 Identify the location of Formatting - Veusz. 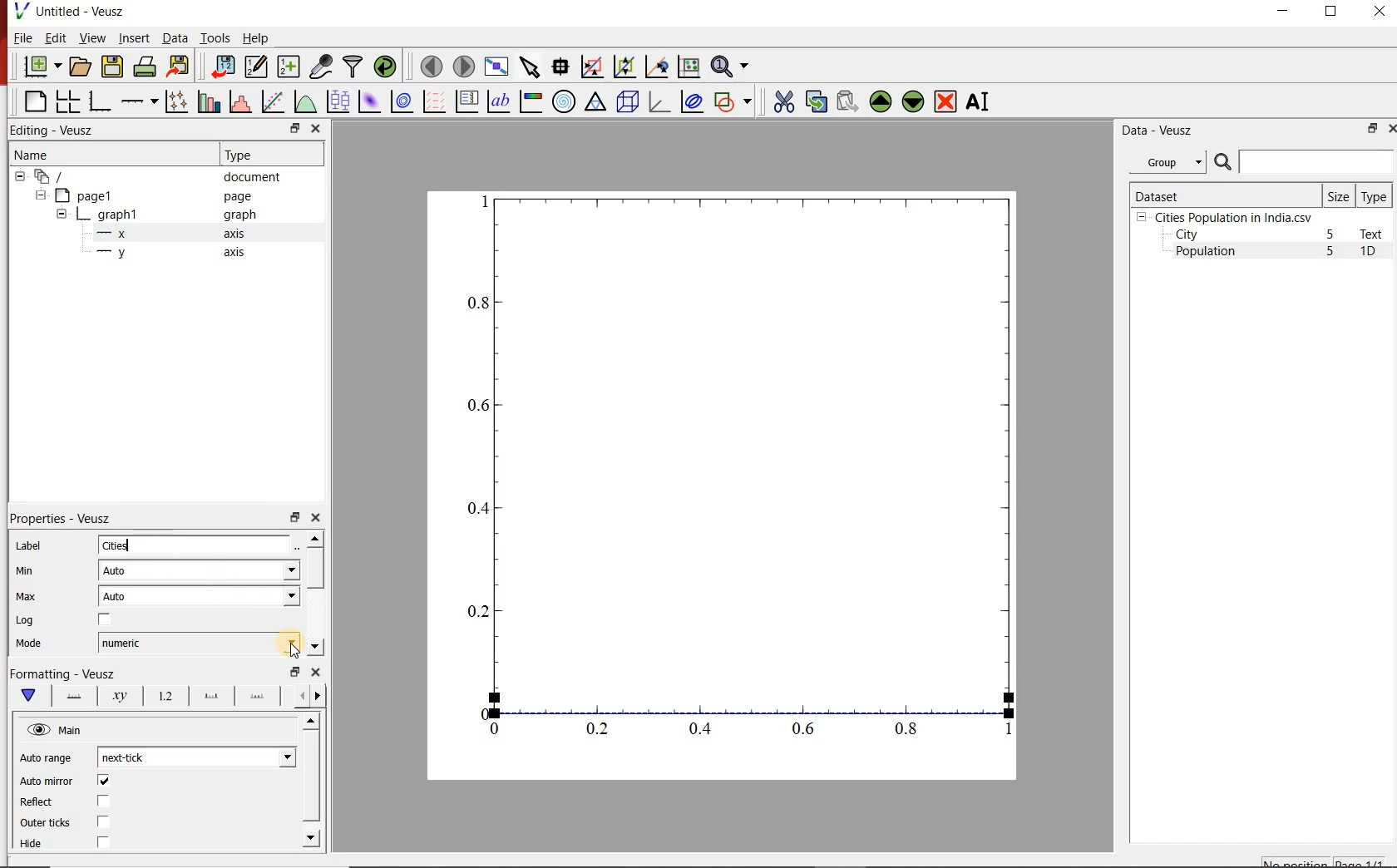
(64, 674).